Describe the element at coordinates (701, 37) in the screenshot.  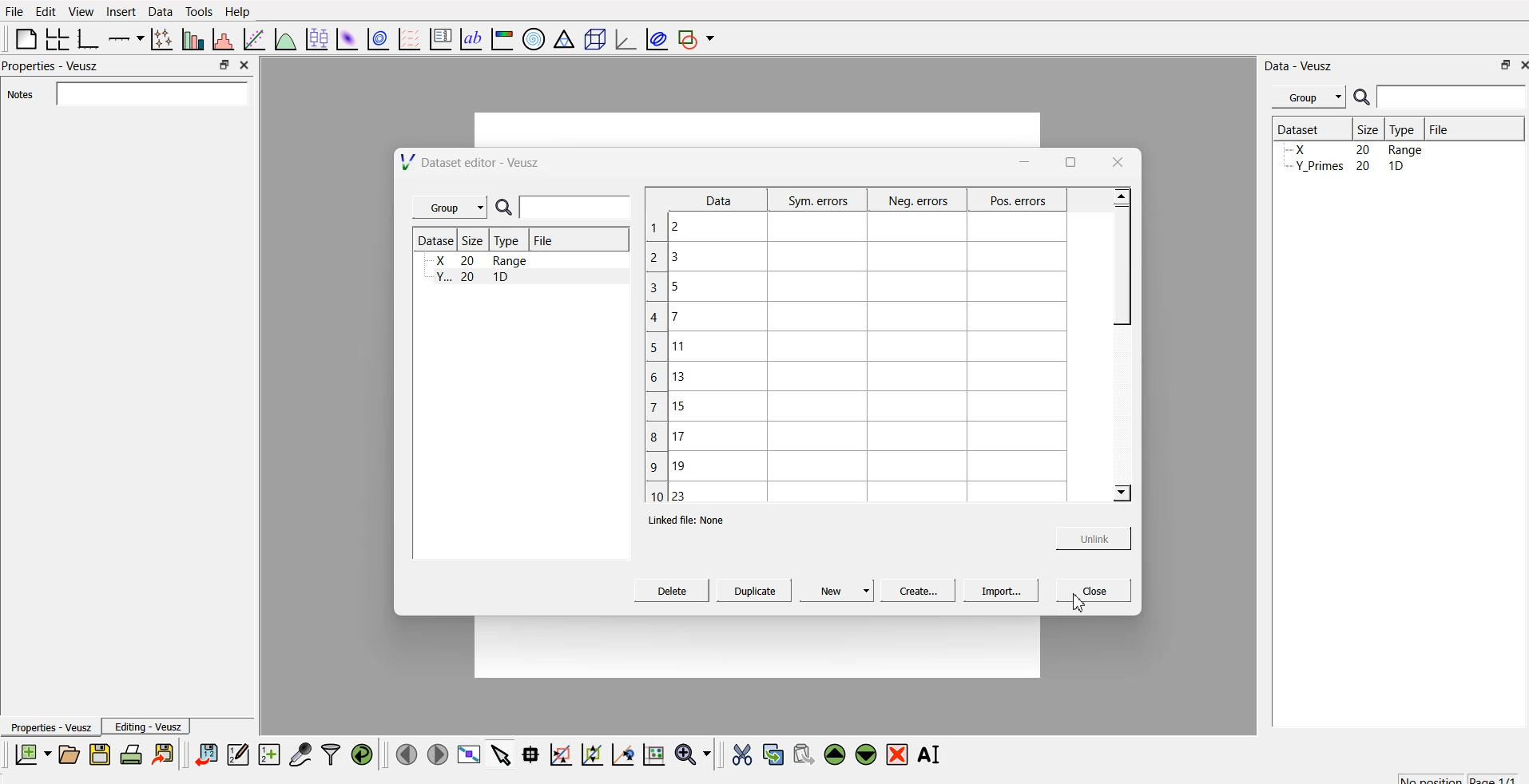
I see `add shape to plot` at that location.